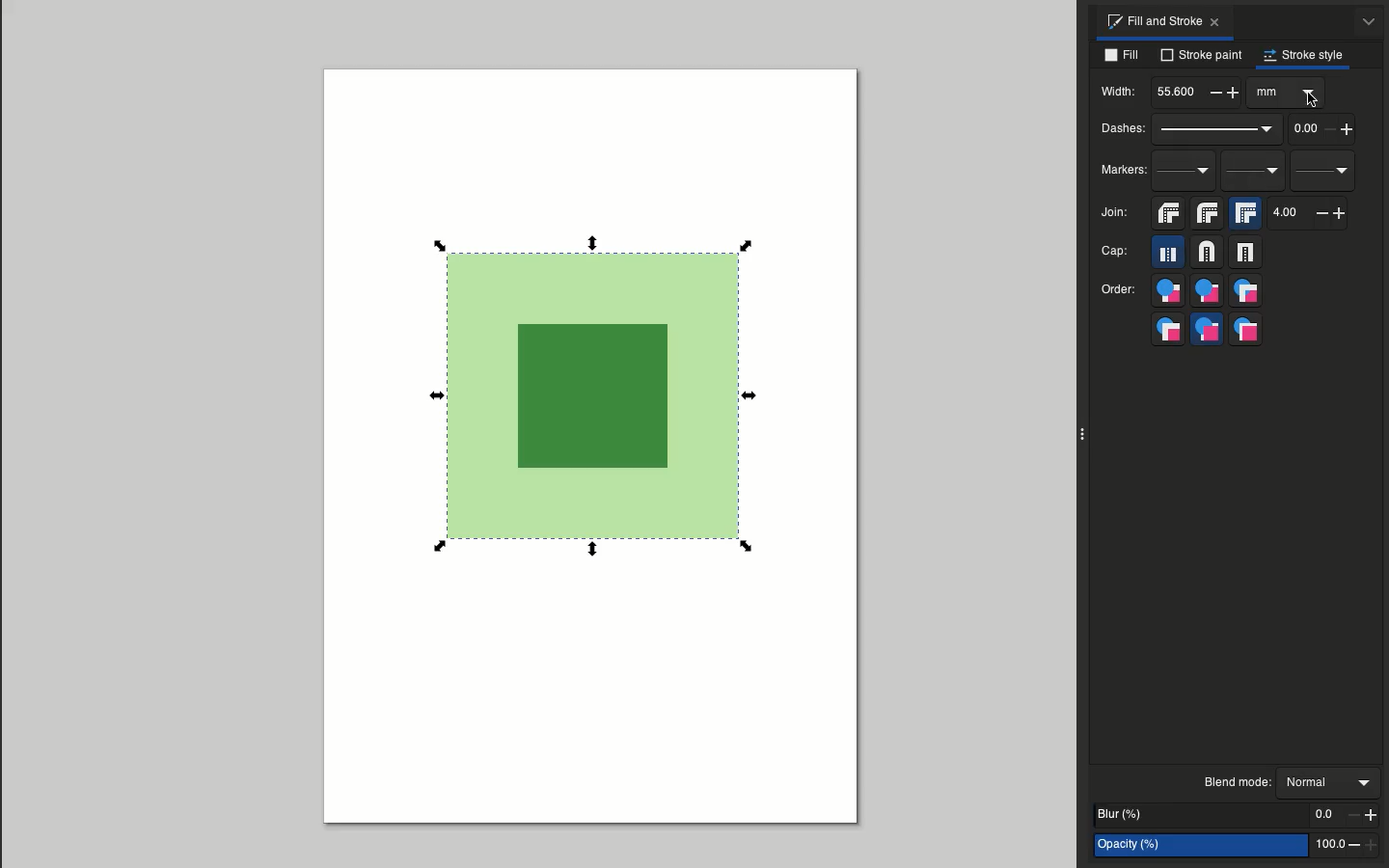 Image resolution: width=1389 pixels, height=868 pixels. I want to click on Scale selection, so click(750, 242).